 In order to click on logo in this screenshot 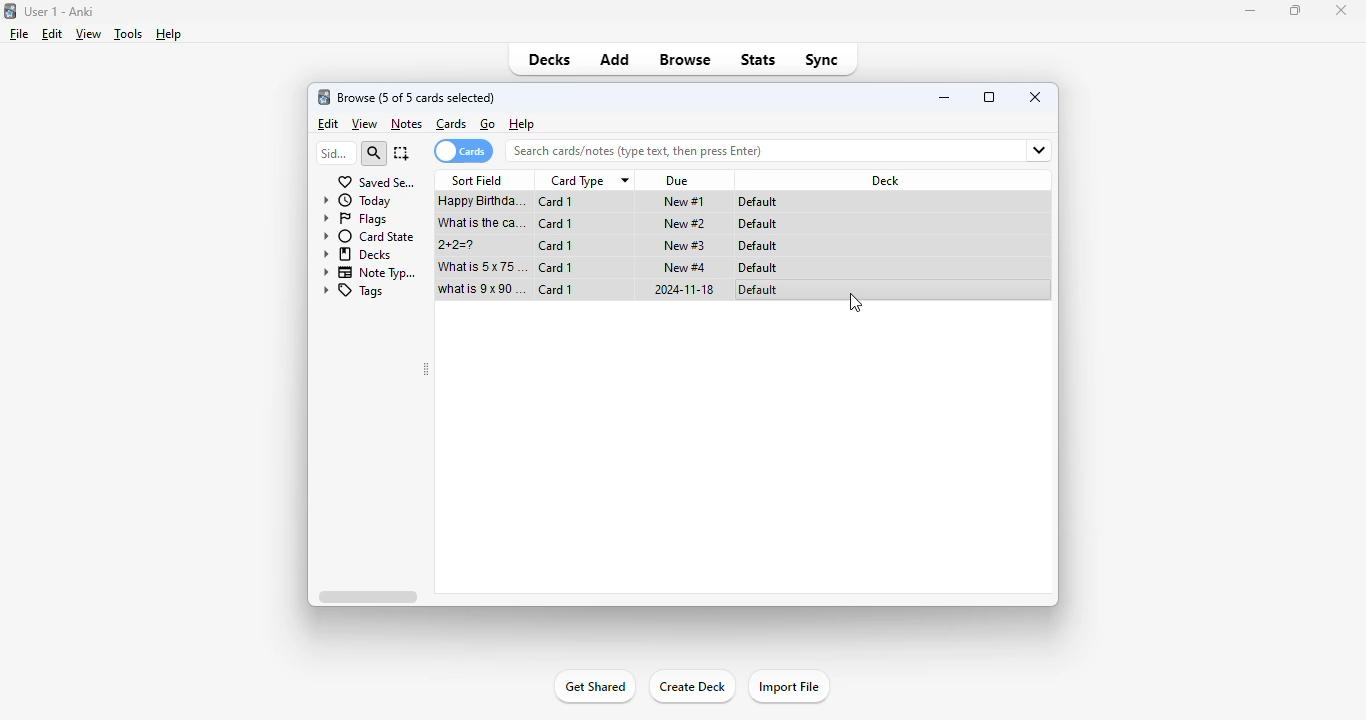, I will do `click(9, 11)`.